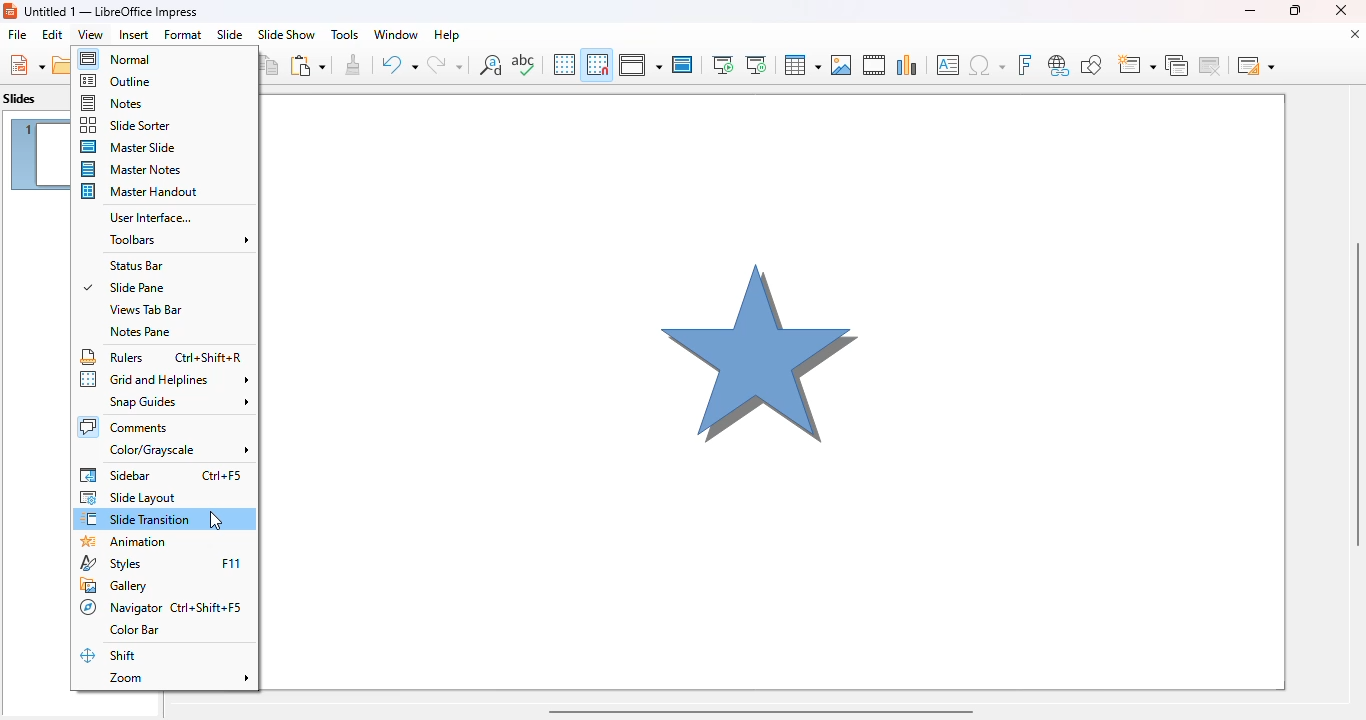  What do you see at coordinates (116, 81) in the screenshot?
I see `outline` at bounding box center [116, 81].